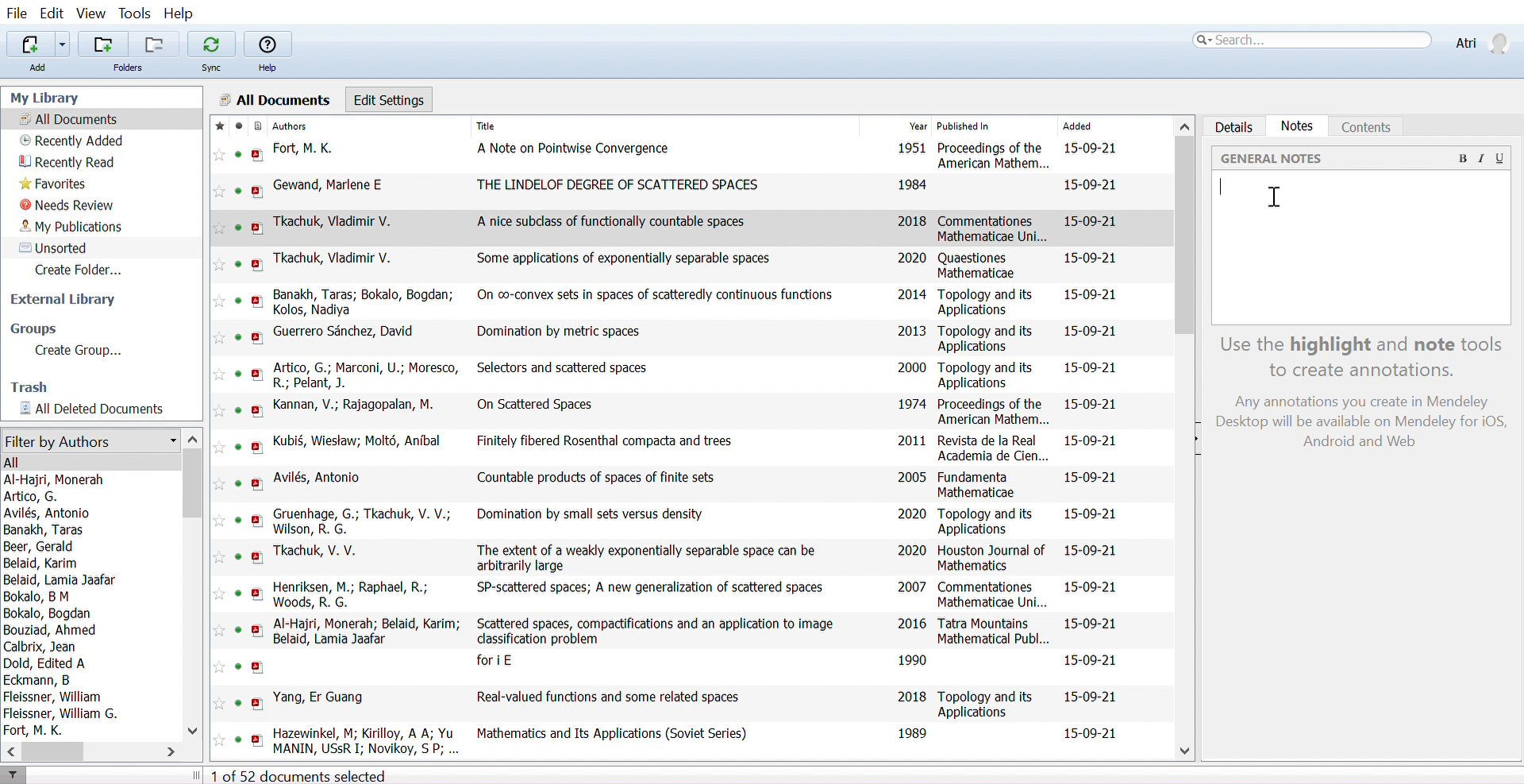 Image resolution: width=1524 pixels, height=784 pixels. What do you see at coordinates (1295, 126) in the screenshot?
I see `Notes` at bounding box center [1295, 126].